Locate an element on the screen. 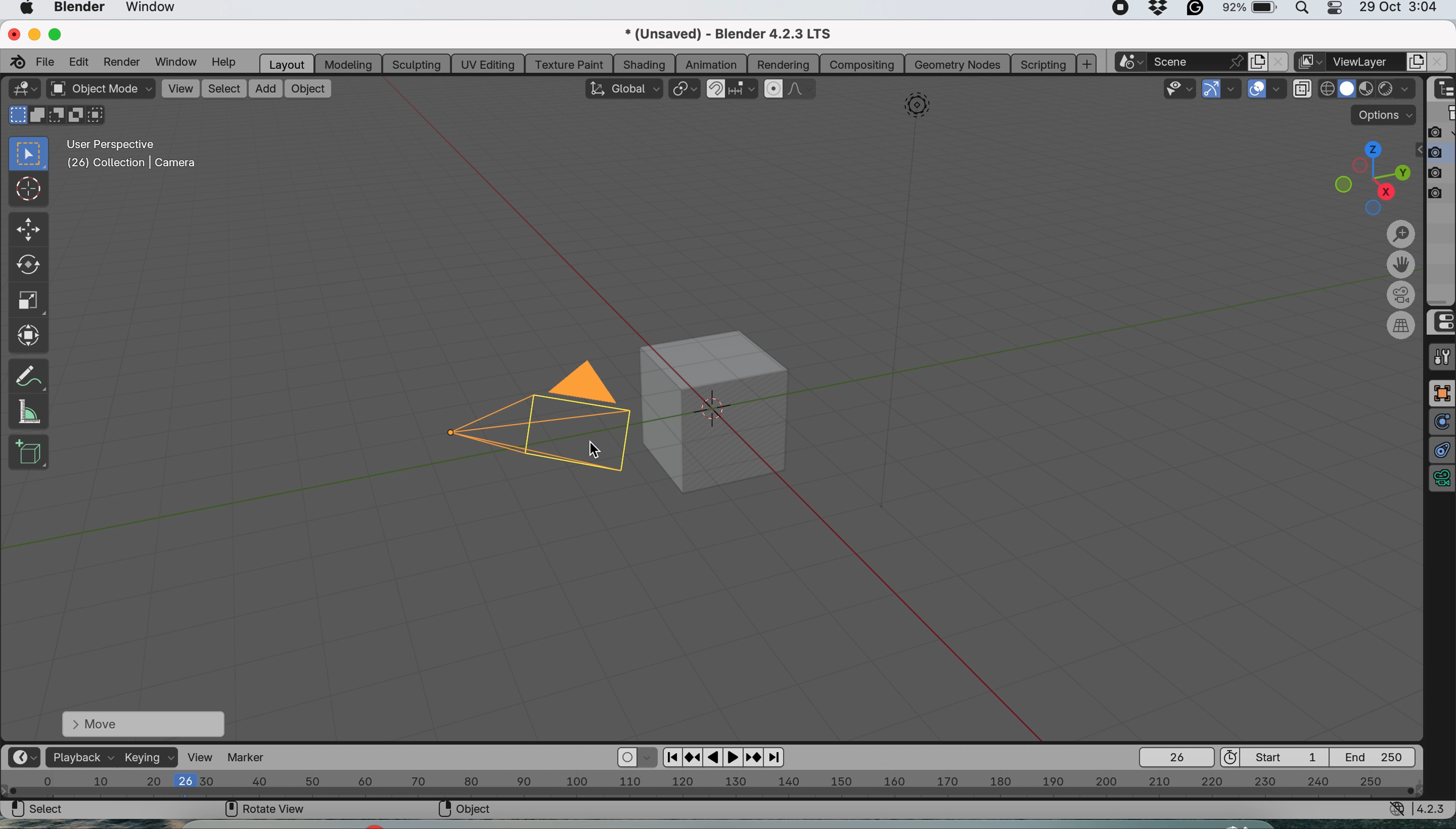 This screenshot has height=829, width=1456. object is located at coordinates (308, 88).